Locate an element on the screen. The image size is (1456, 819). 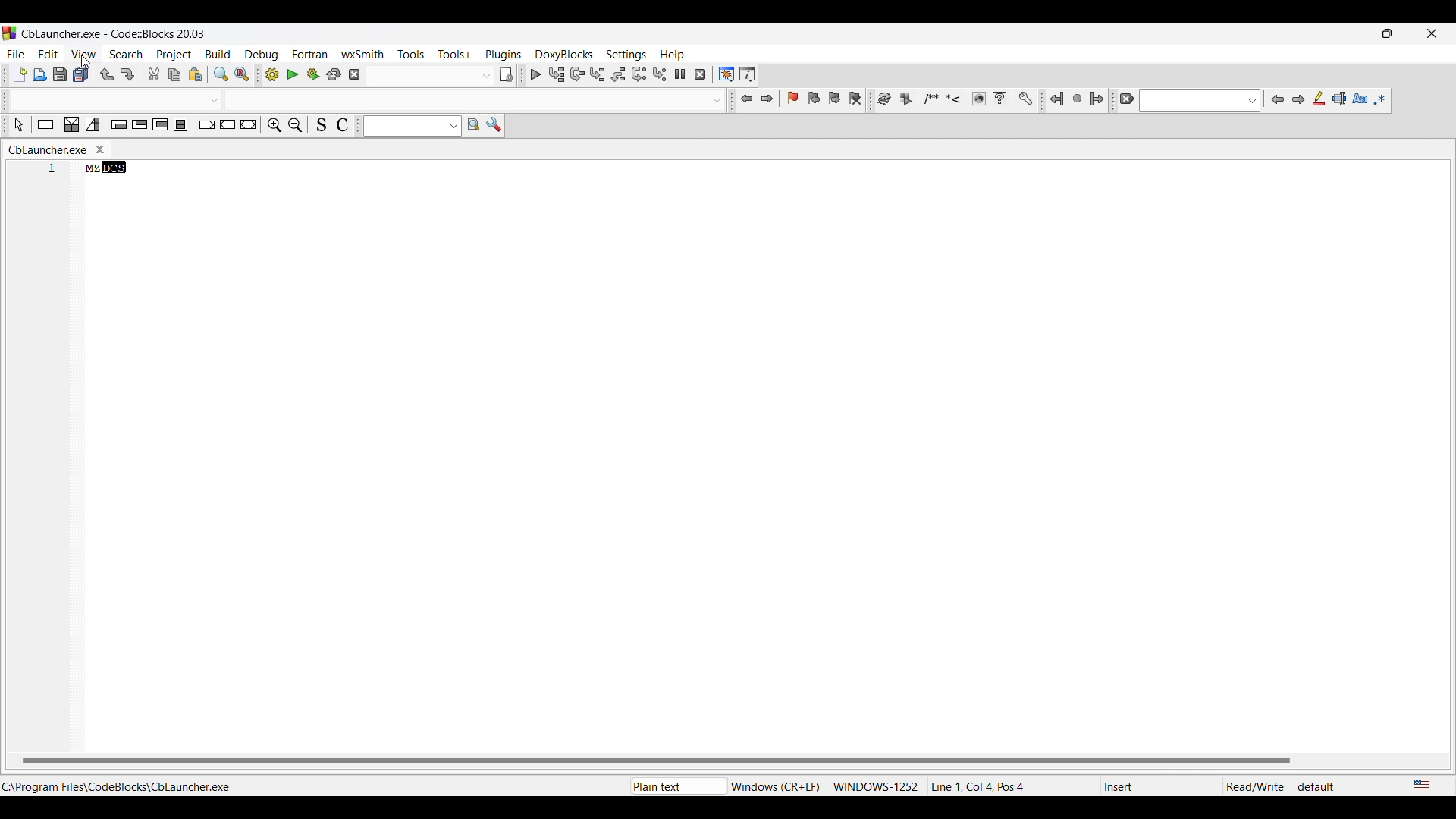
Entry condition loop is located at coordinates (119, 124).